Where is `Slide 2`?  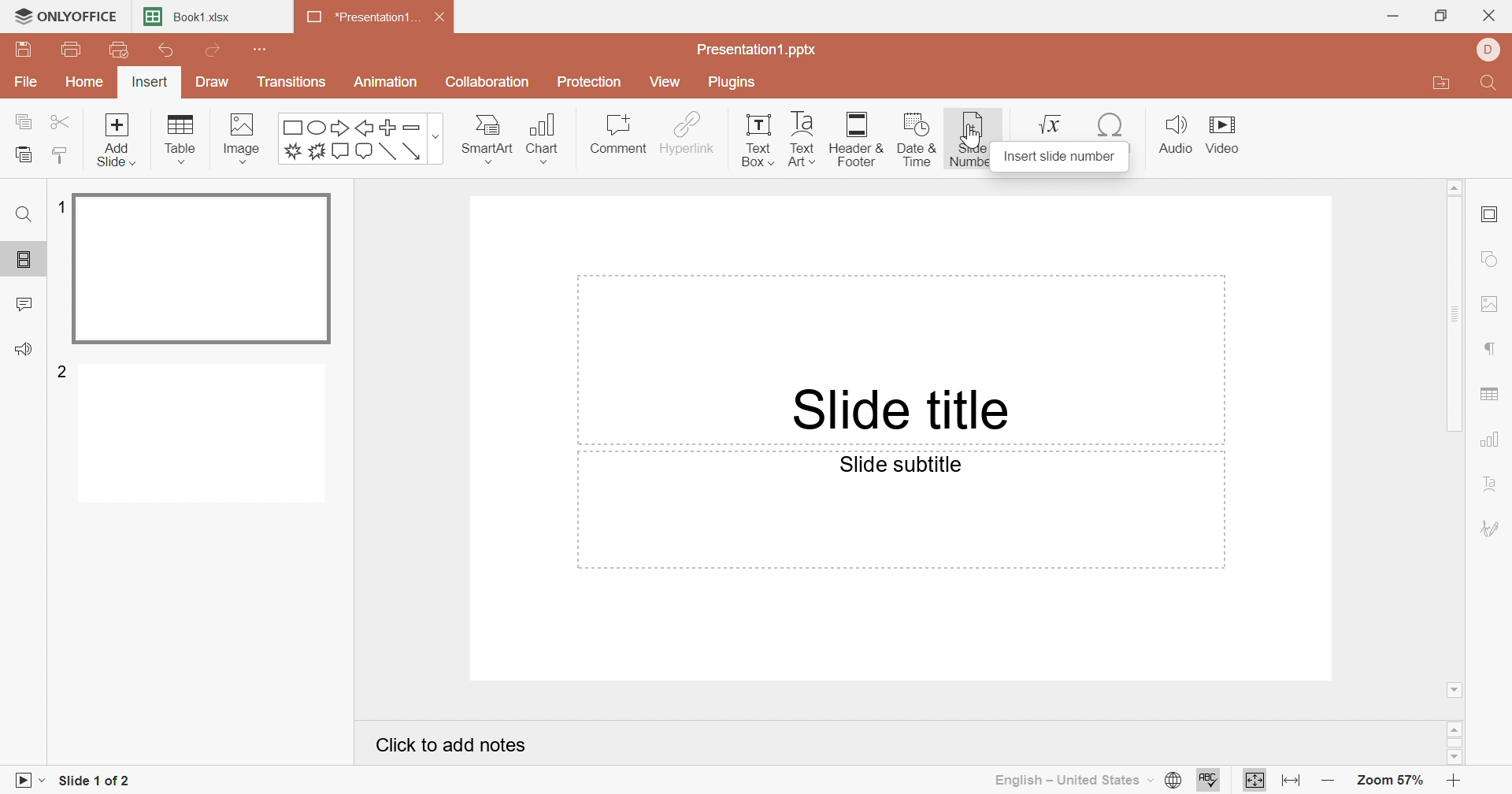 Slide 2 is located at coordinates (206, 436).